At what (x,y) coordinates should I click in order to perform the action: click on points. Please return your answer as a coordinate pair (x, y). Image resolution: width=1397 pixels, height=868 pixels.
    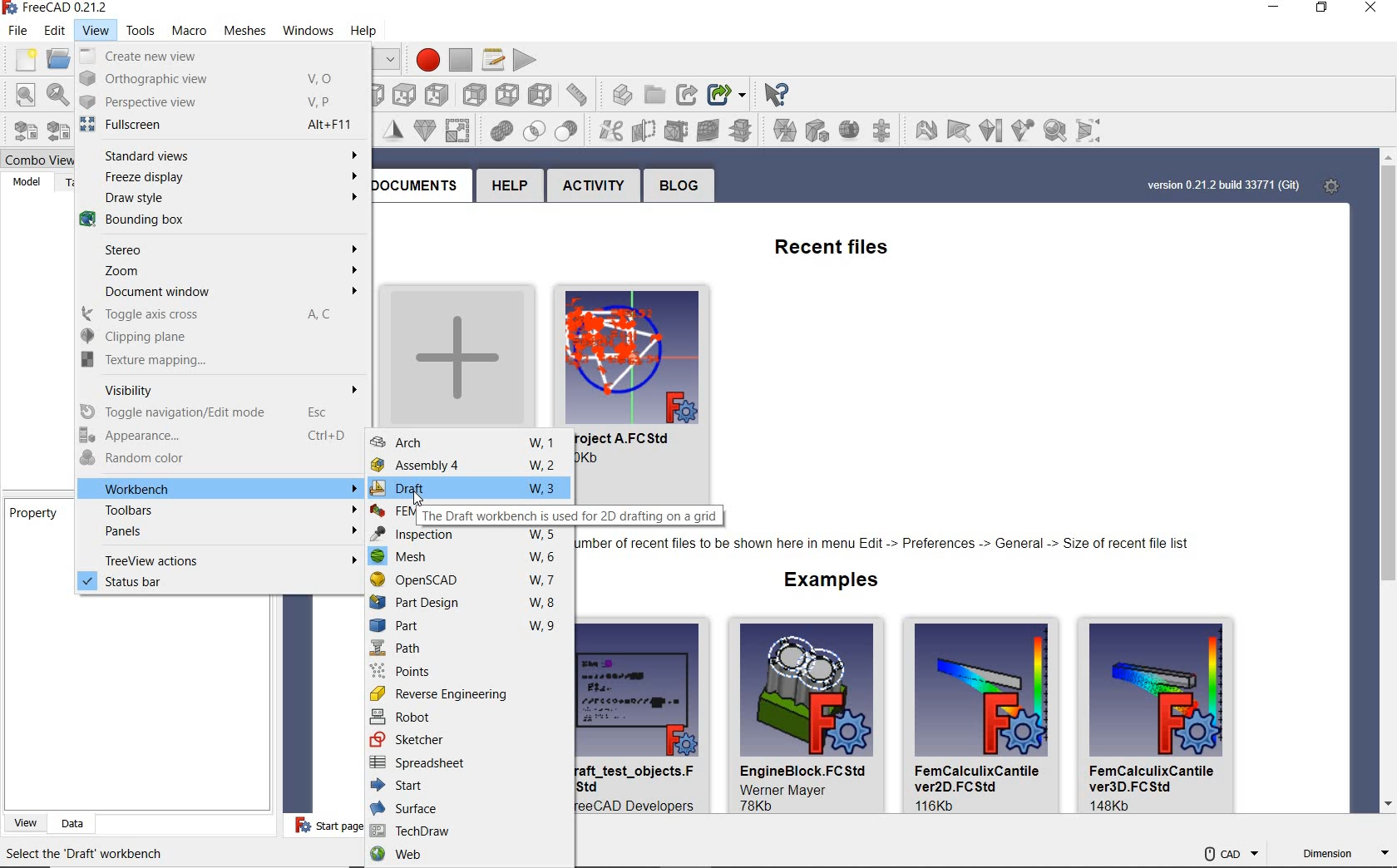
    Looking at the image, I should click on (470, 671).